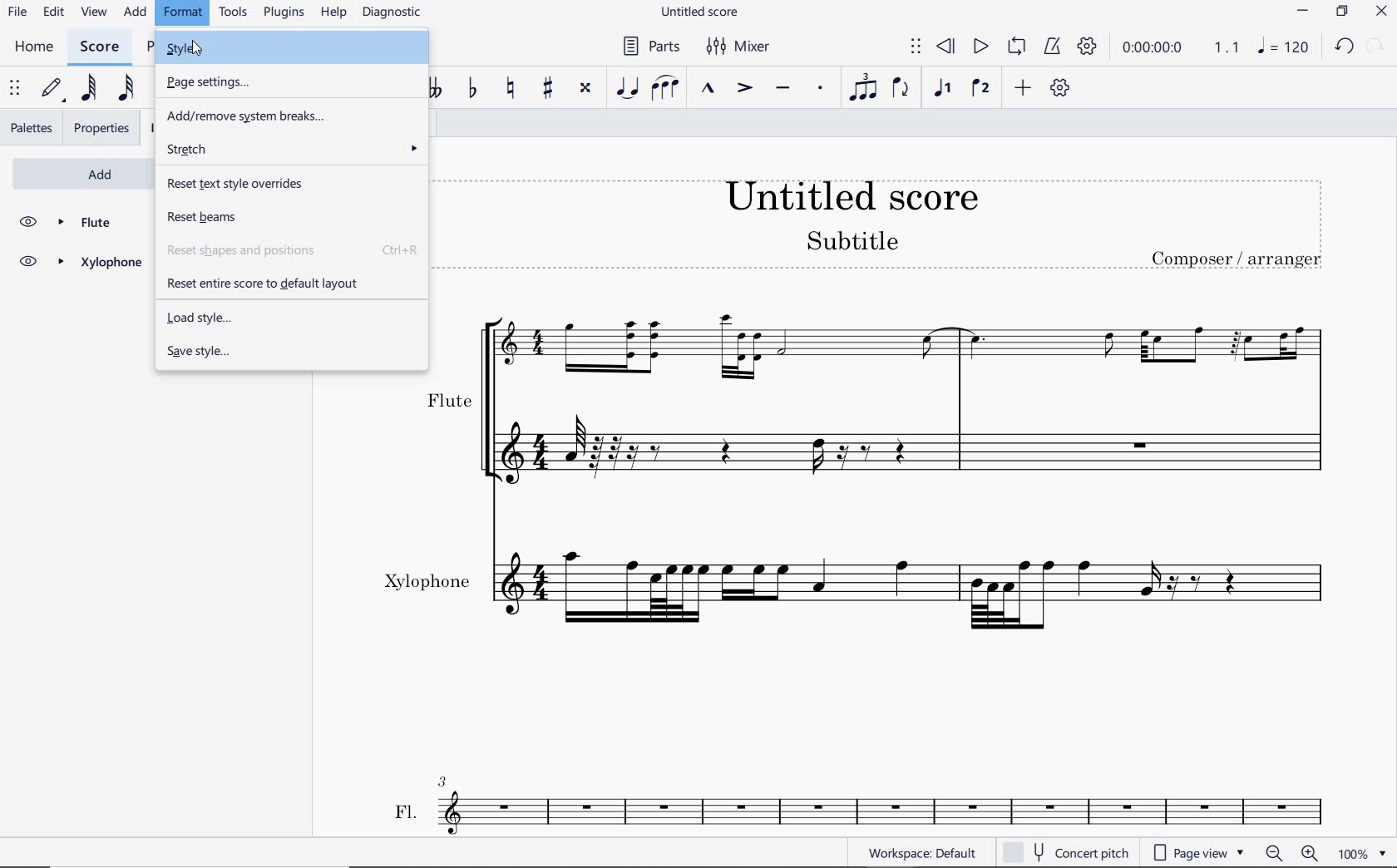 This screenshot has width=1397, height=868. I want to click on 32ND NOTE, so click(124, 86).